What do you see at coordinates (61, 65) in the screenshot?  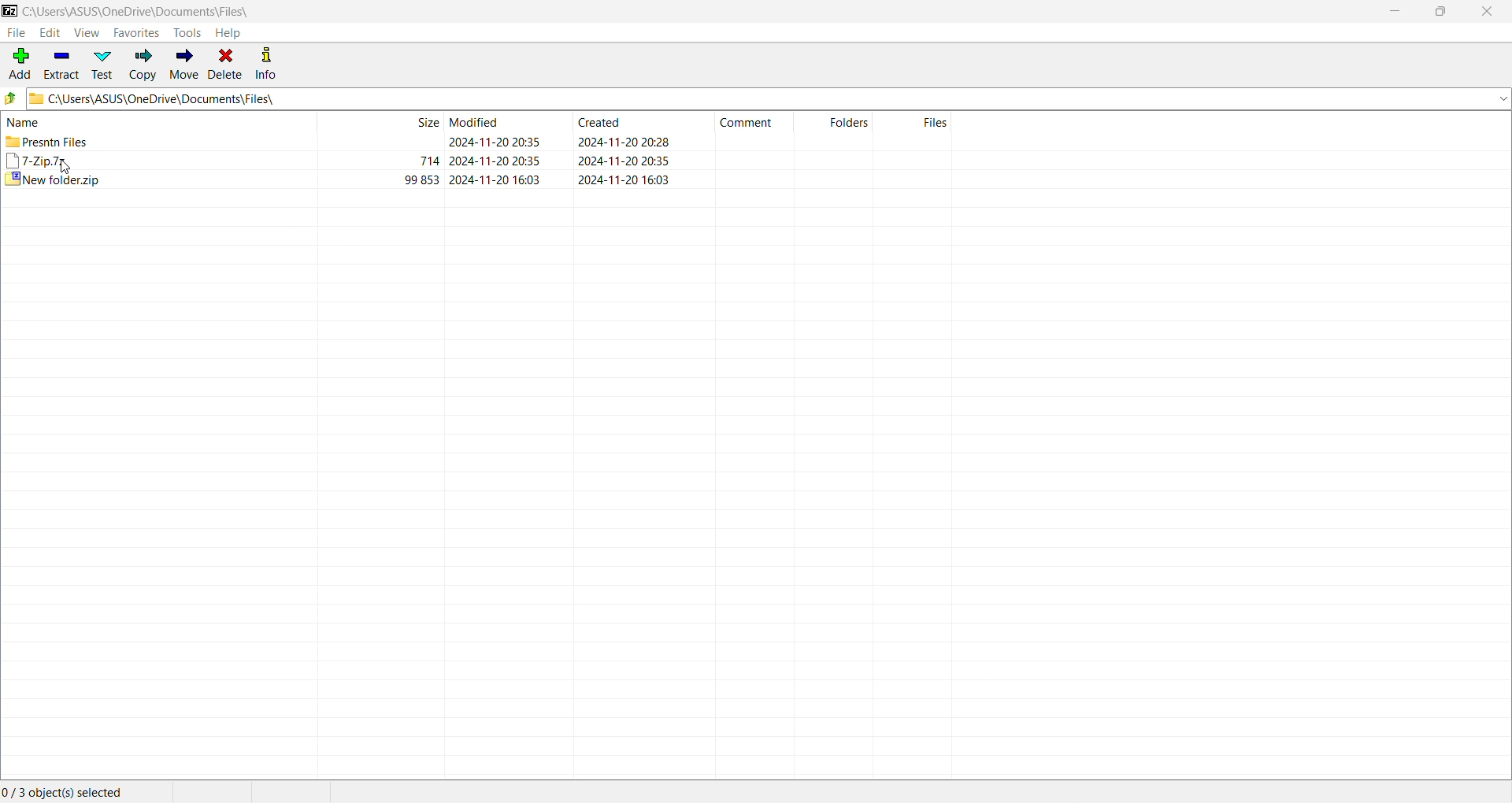 I see `Extract` at bounding box center [61, 65].